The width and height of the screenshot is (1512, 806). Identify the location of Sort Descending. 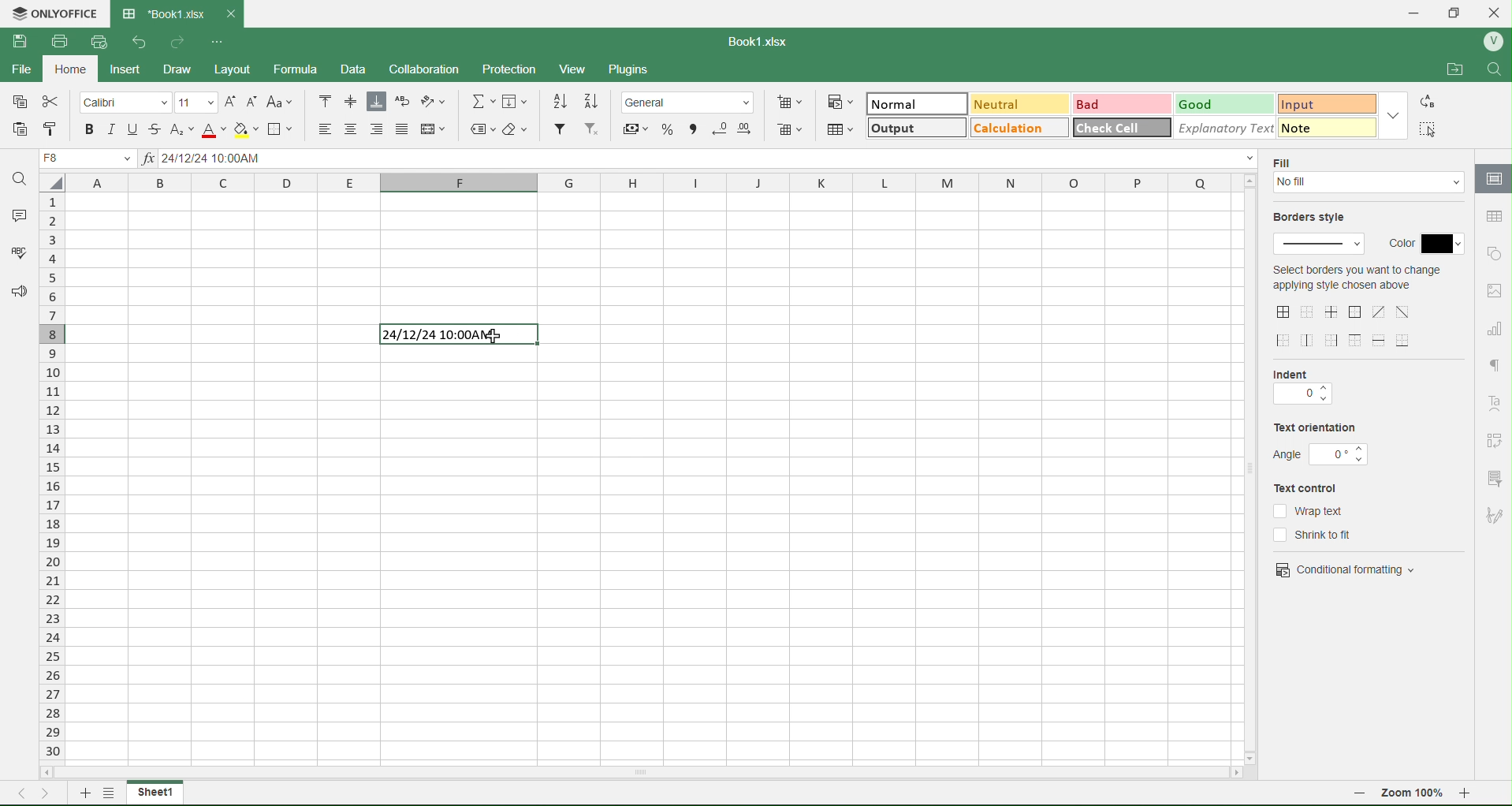
(594, 100).